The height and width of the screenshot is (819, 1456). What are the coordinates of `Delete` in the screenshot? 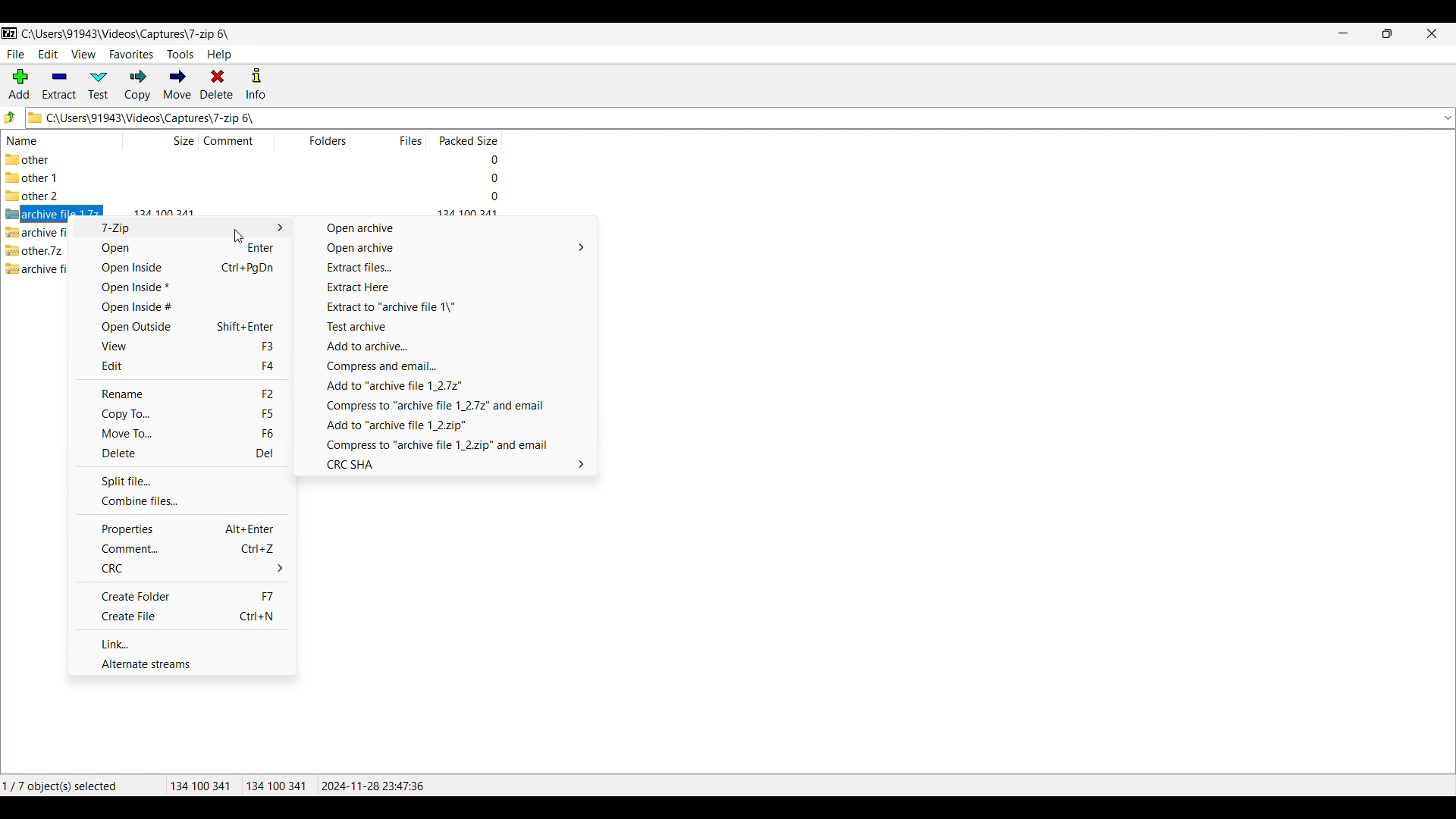 It's located at (181, 453).